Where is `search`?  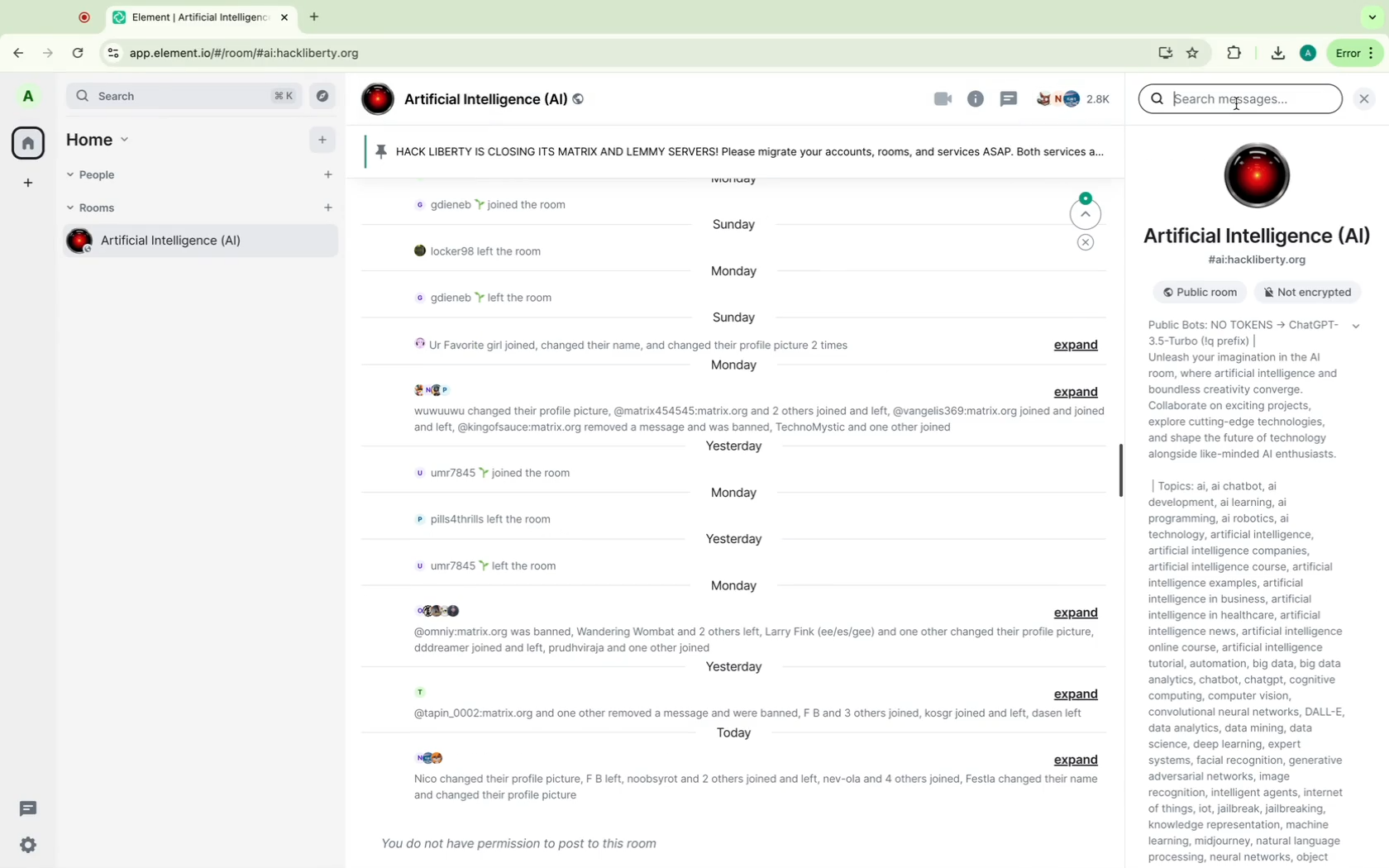 search is located at coordinates (185, 96).